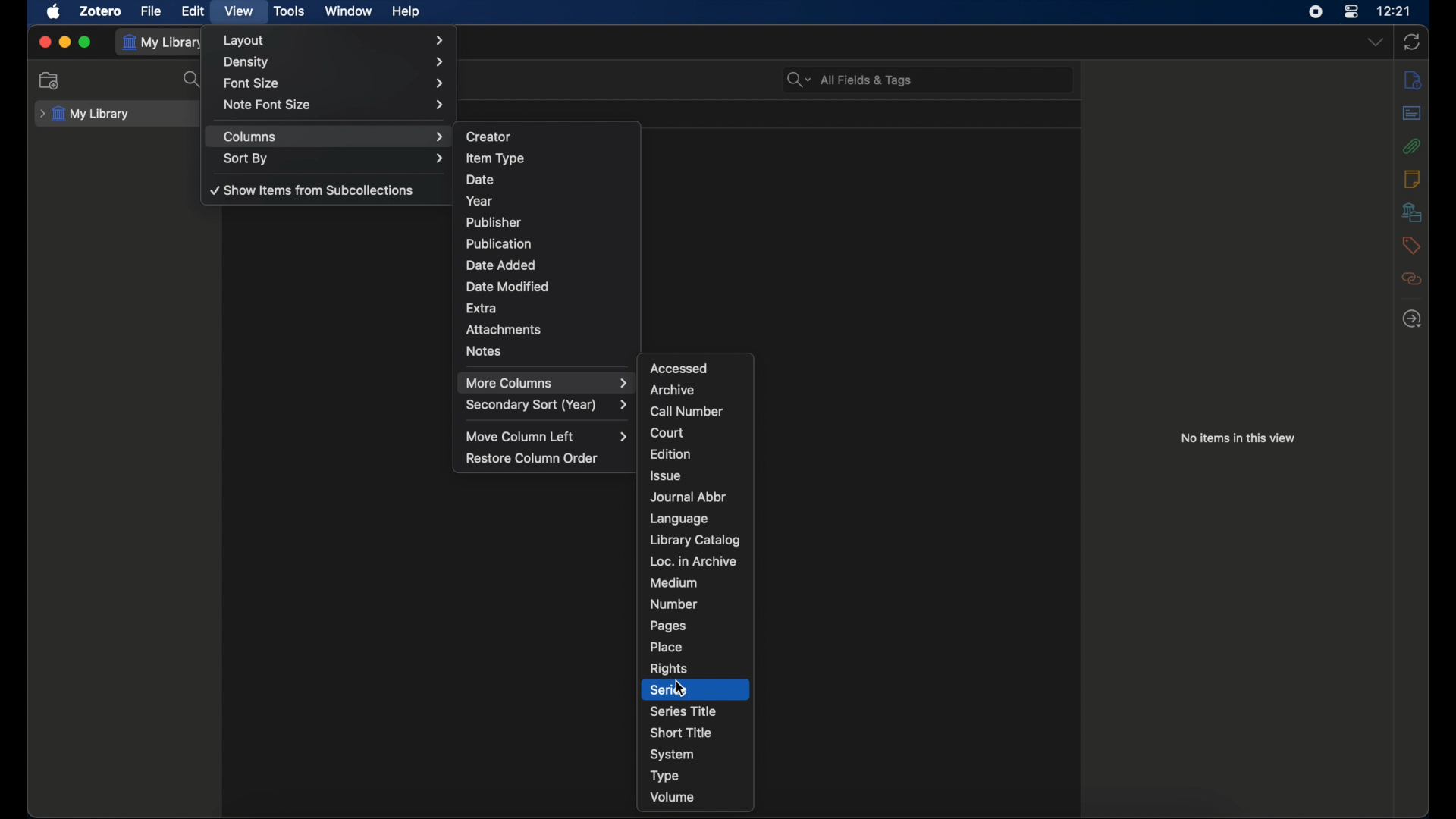  Describe the element at coordinates (670, 690) in the screenshot. I see `series` at that location.